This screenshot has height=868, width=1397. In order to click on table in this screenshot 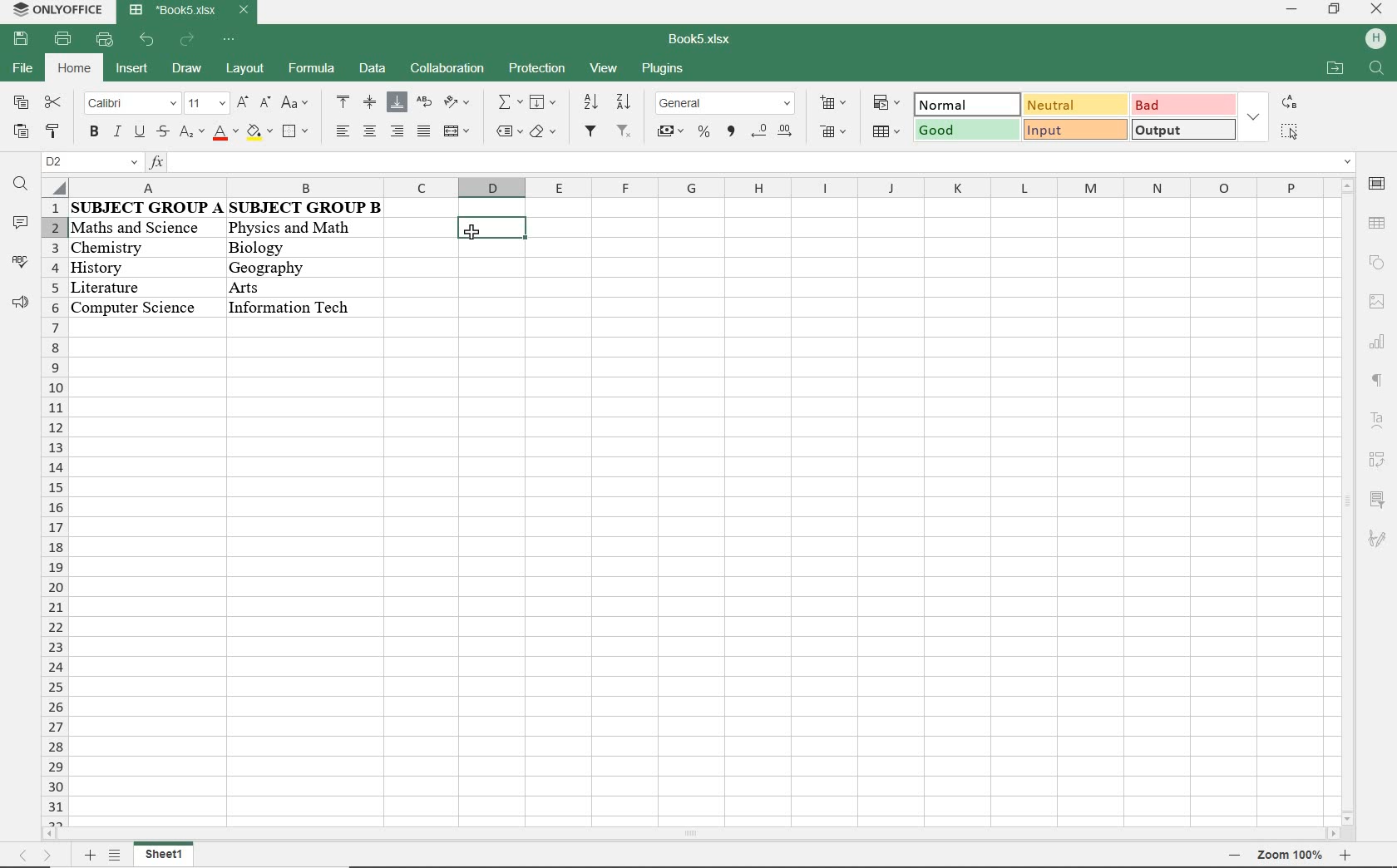, I will do `click(1377, 223)`.